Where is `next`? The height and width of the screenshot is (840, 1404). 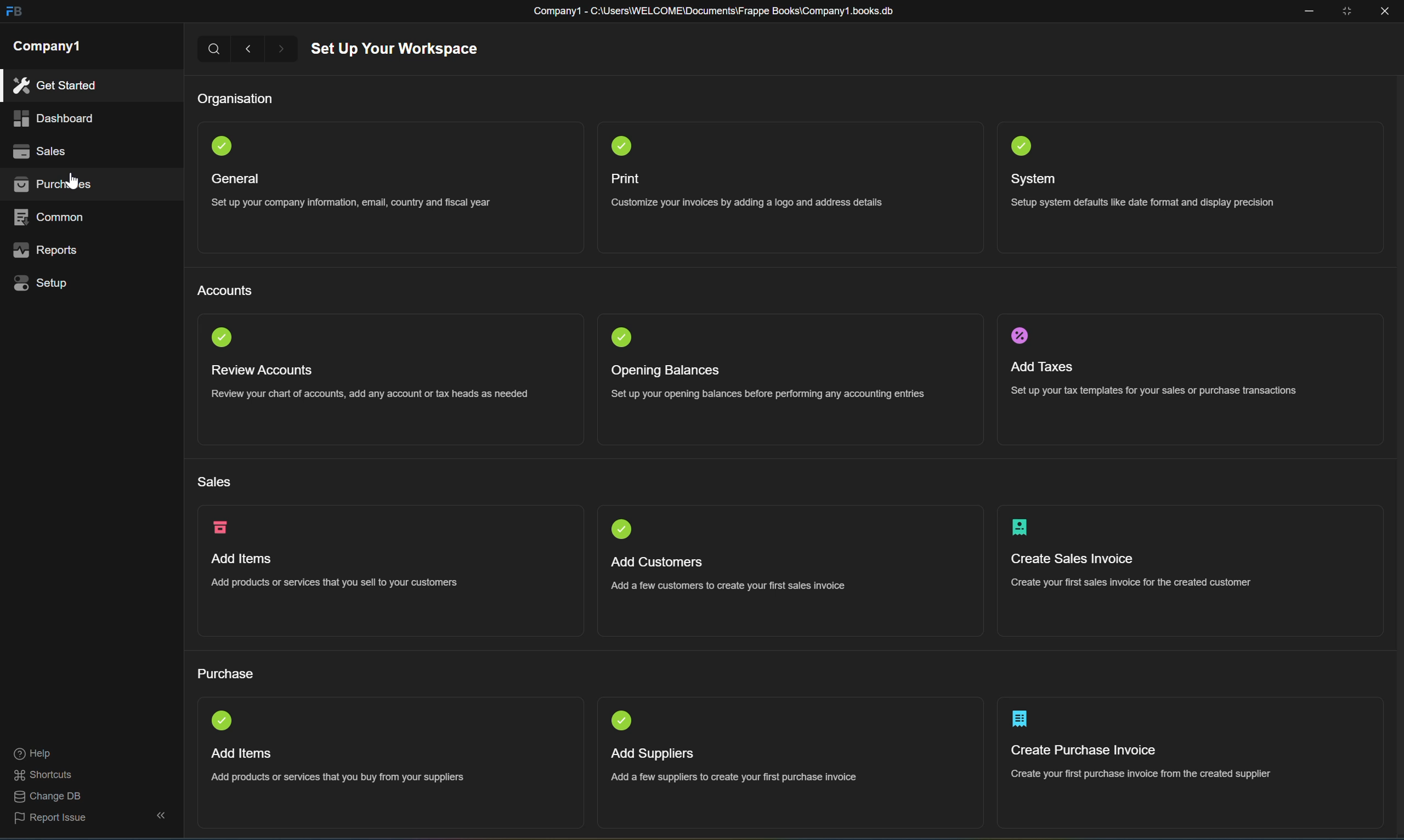
next is located at coordinates (287, 49).